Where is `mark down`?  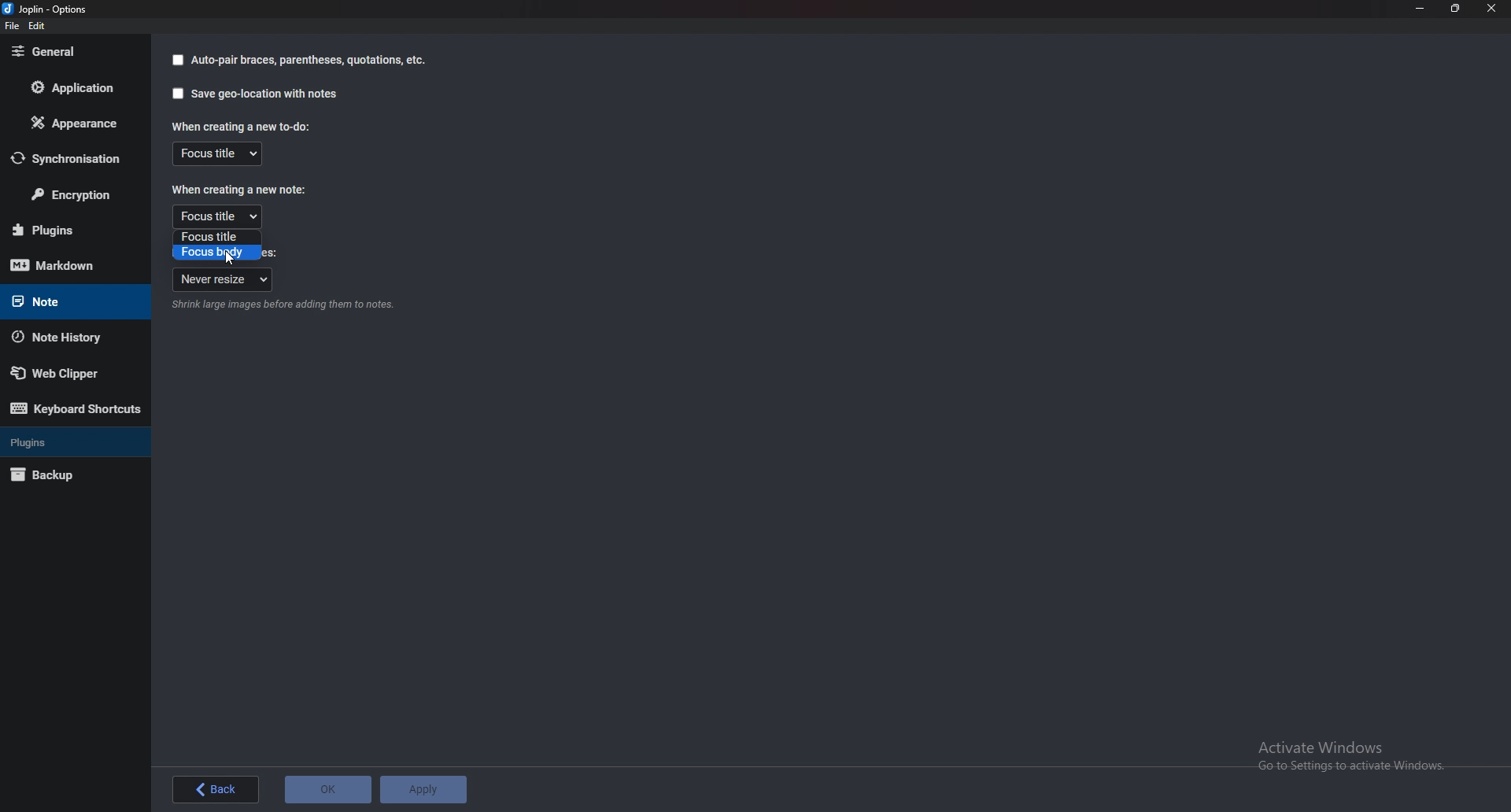 mark down is located at coordinates (65, 266).